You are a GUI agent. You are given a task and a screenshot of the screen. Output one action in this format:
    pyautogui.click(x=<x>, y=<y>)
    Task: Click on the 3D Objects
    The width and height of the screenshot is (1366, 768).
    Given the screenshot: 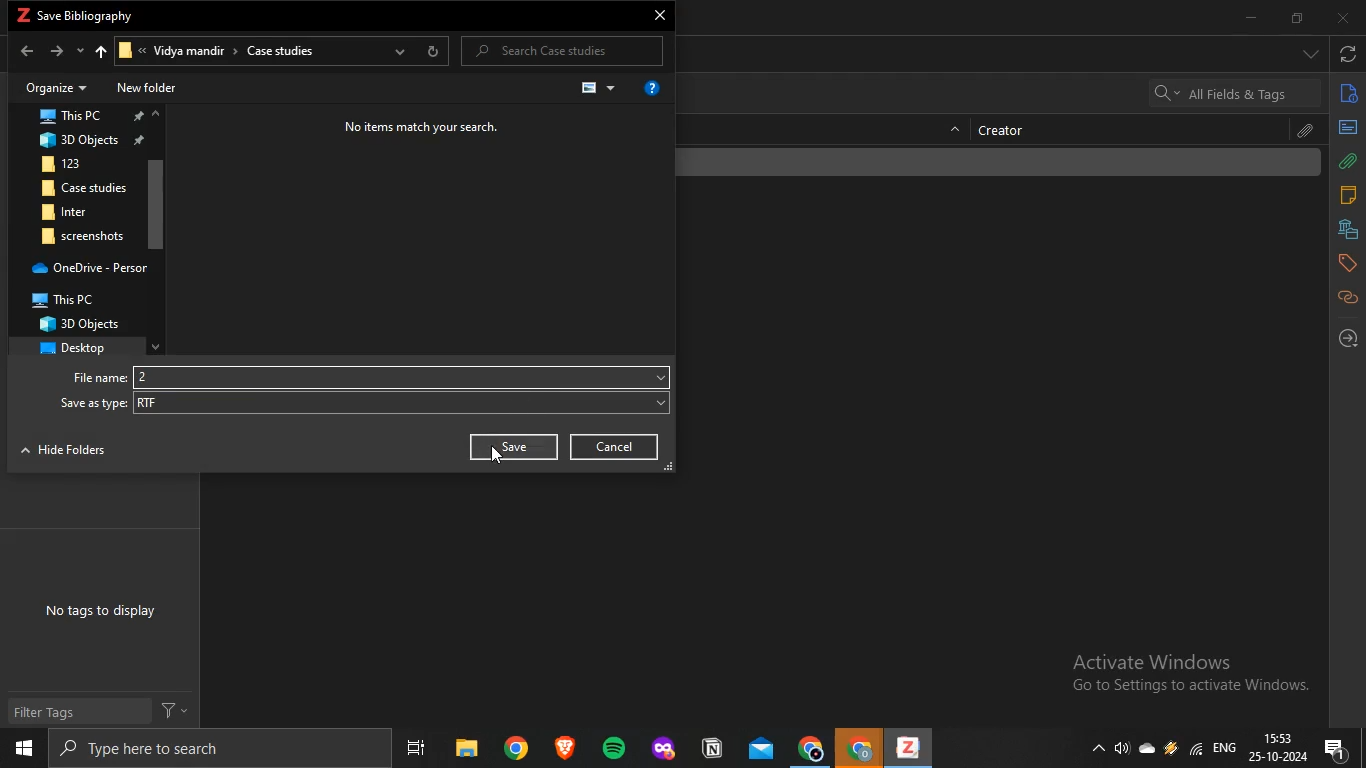 What is the action you would take?
    pyautogui.click(x=113, y=142)
    